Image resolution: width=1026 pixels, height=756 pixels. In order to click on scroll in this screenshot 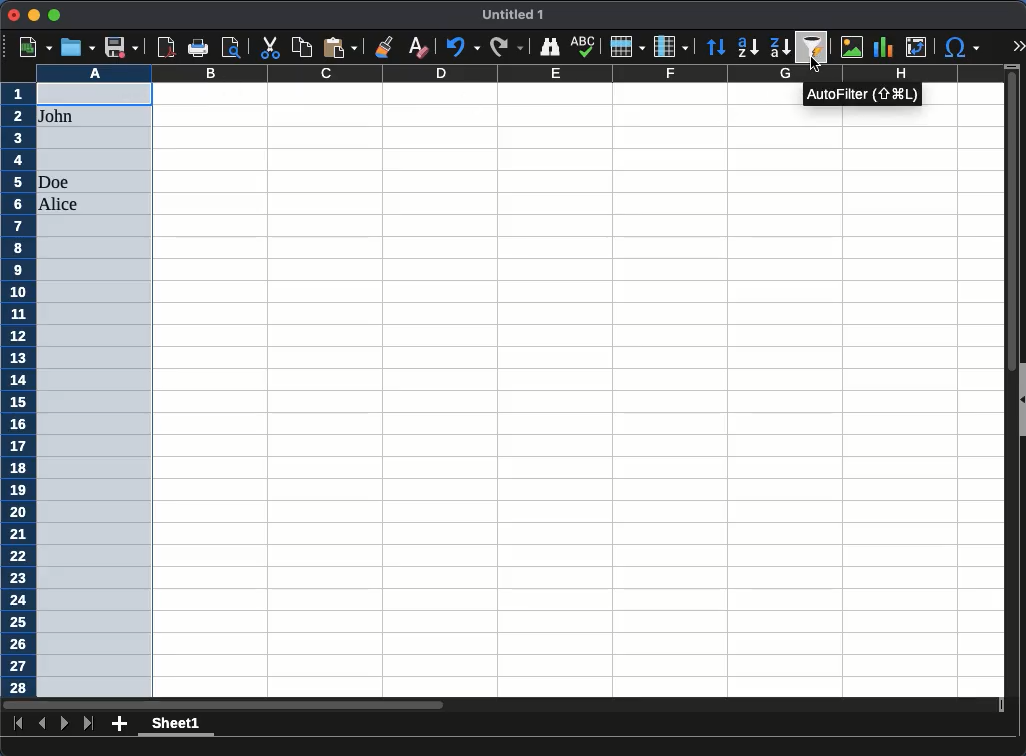, I will do `click(1005, 389)`.